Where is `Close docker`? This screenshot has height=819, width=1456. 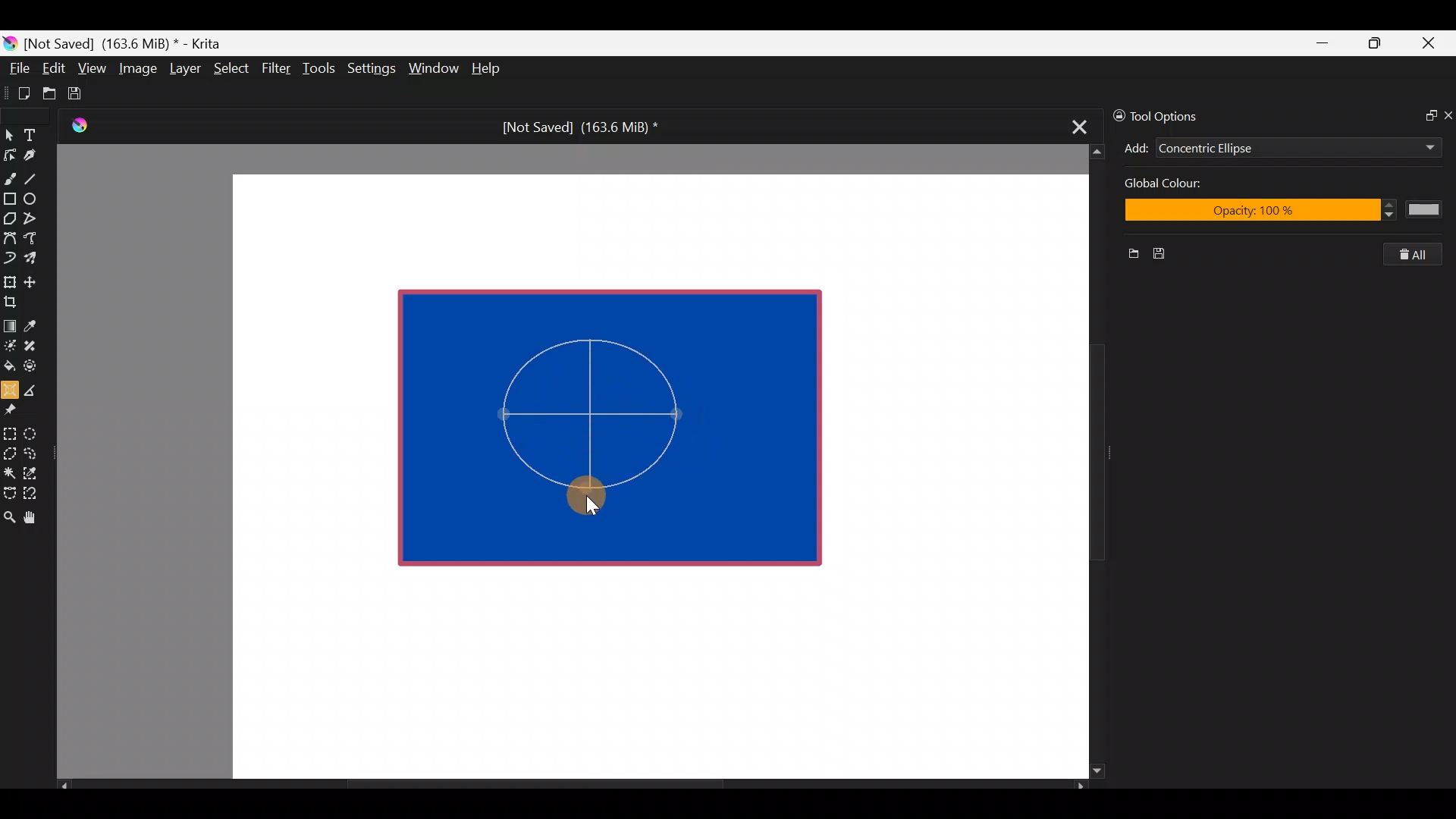 Close docker is located at coordinates (1447, 115).